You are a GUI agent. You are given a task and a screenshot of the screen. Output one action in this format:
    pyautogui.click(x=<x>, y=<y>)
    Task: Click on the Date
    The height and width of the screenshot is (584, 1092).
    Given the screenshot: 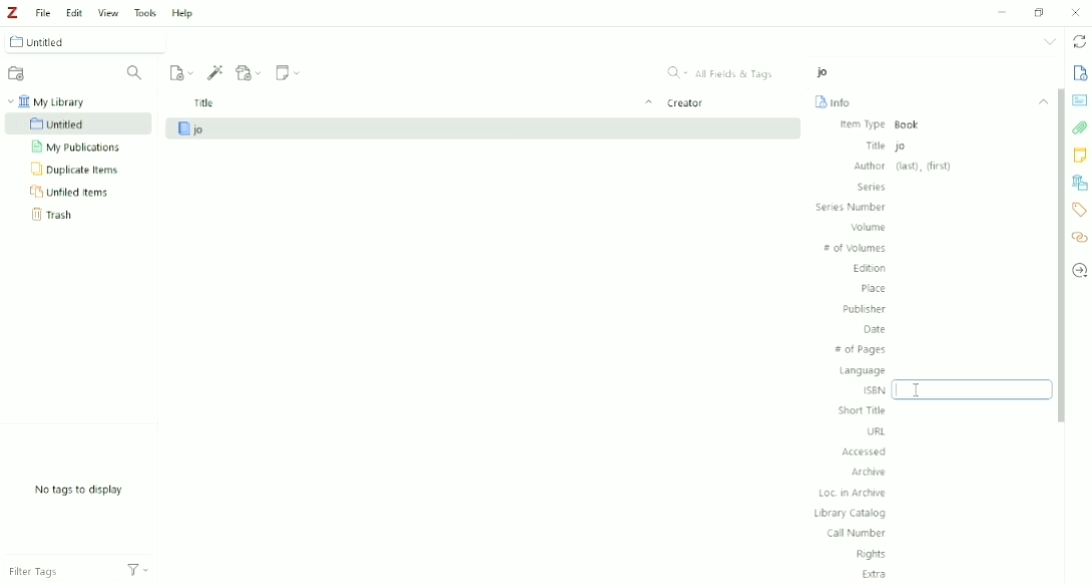 What is the action you would take?
    pyautogui.click(x=872, y=329)
    